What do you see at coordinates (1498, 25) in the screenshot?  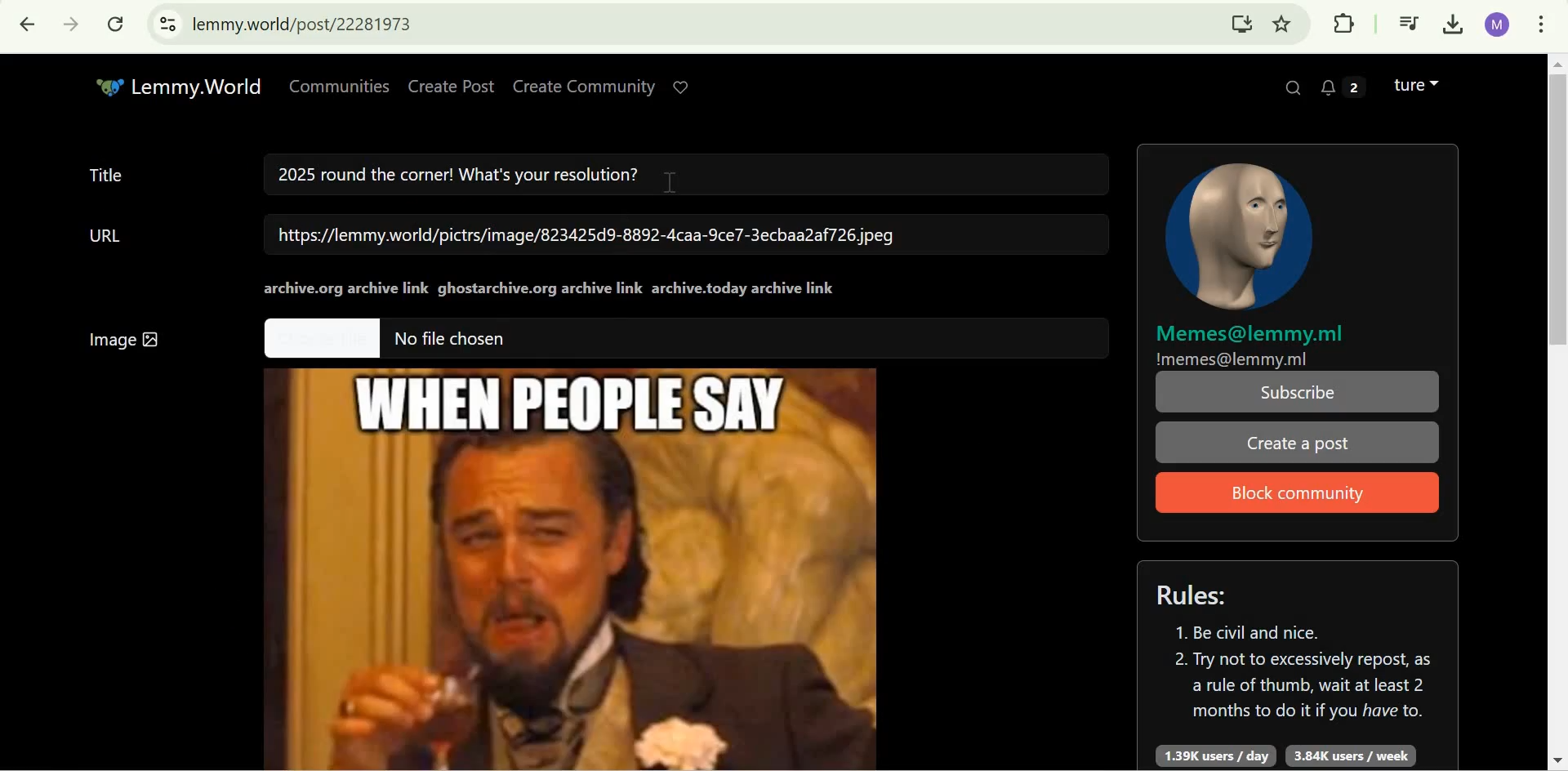 I see `Google account` at bounding box center [1498, 25].